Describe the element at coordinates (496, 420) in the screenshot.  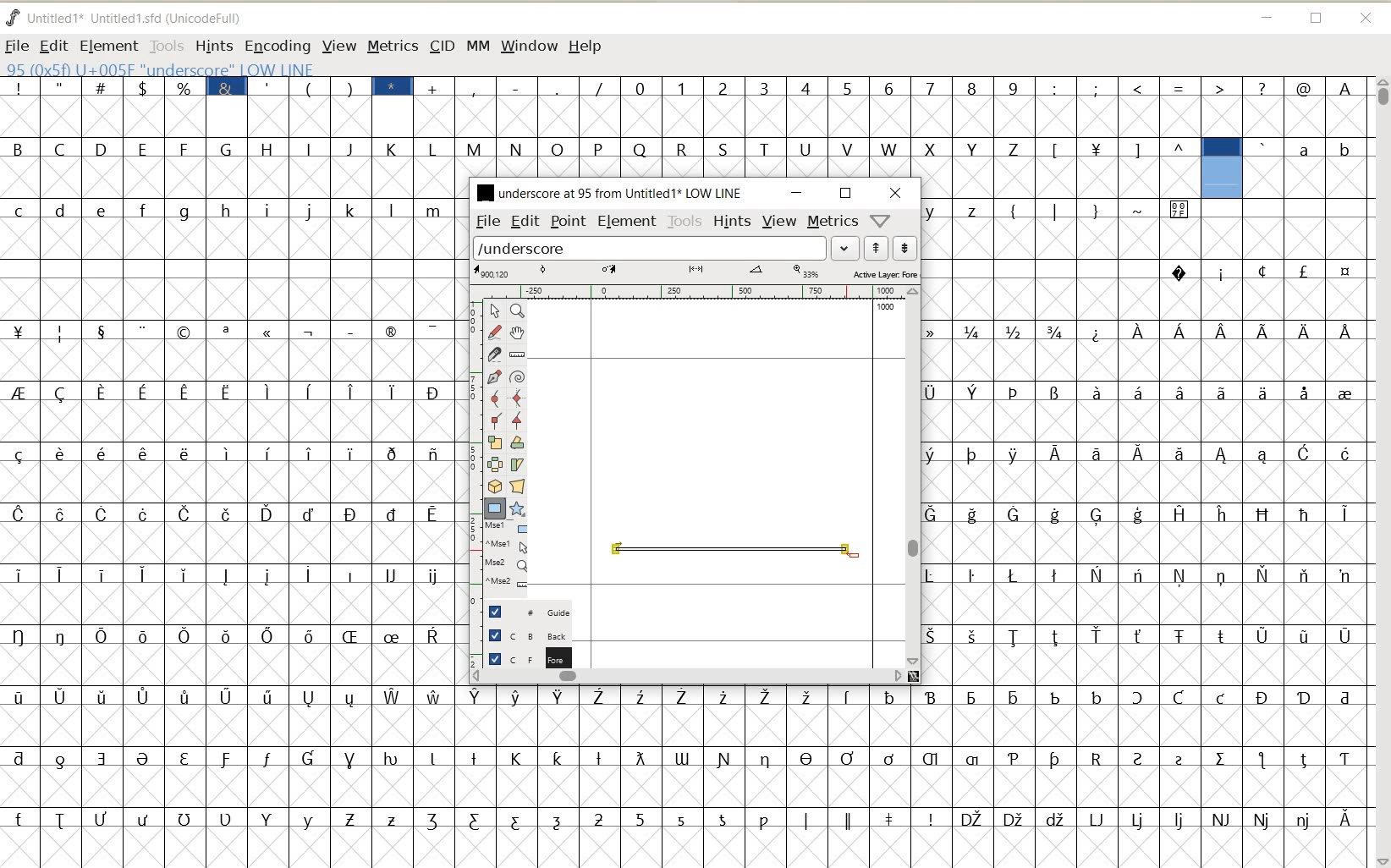
I see `Add a corner point` at that location.